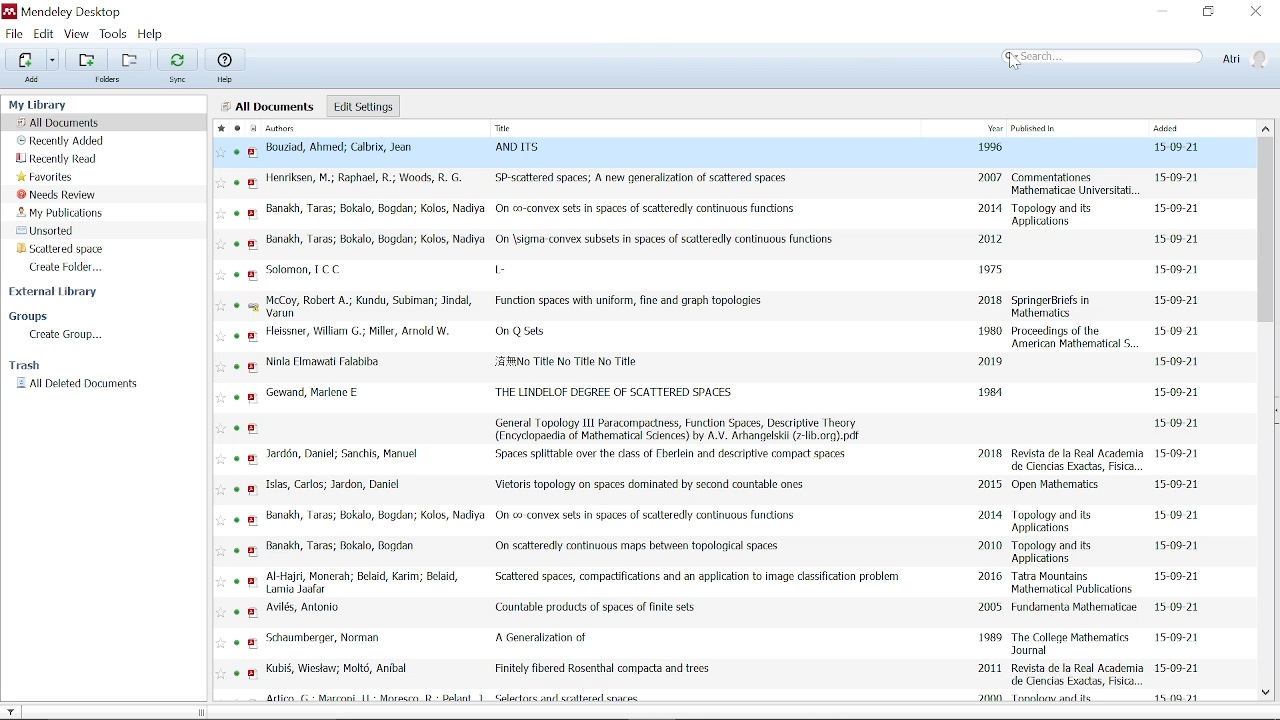  I want to click on Gewand, Marlene ‘THE LINDELOF DEGREE OF SCATTERED SPACES 1981 15-09-21, so click(727, 395).